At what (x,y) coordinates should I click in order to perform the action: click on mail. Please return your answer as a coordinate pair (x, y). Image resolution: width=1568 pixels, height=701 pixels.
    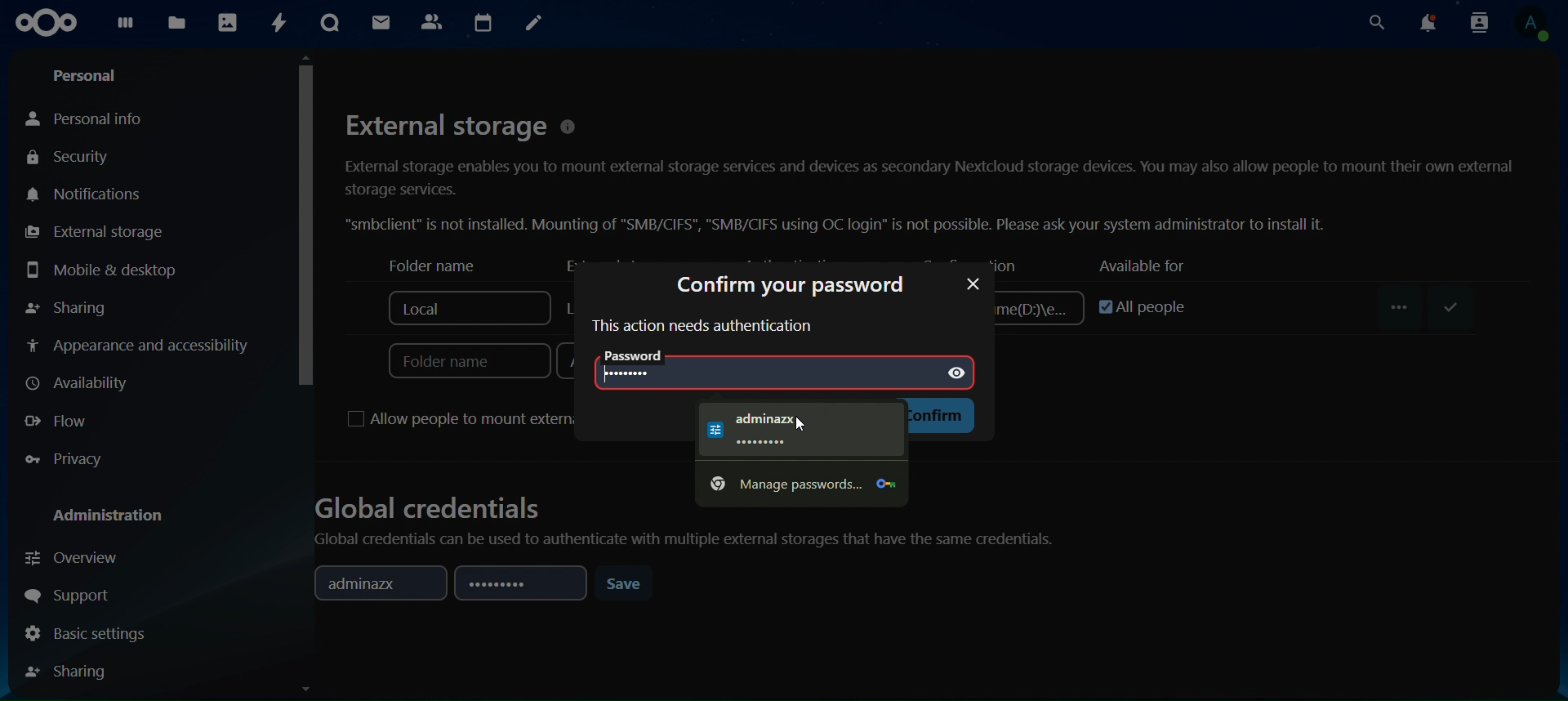
    Looking at the image, I should click on (381, 24).